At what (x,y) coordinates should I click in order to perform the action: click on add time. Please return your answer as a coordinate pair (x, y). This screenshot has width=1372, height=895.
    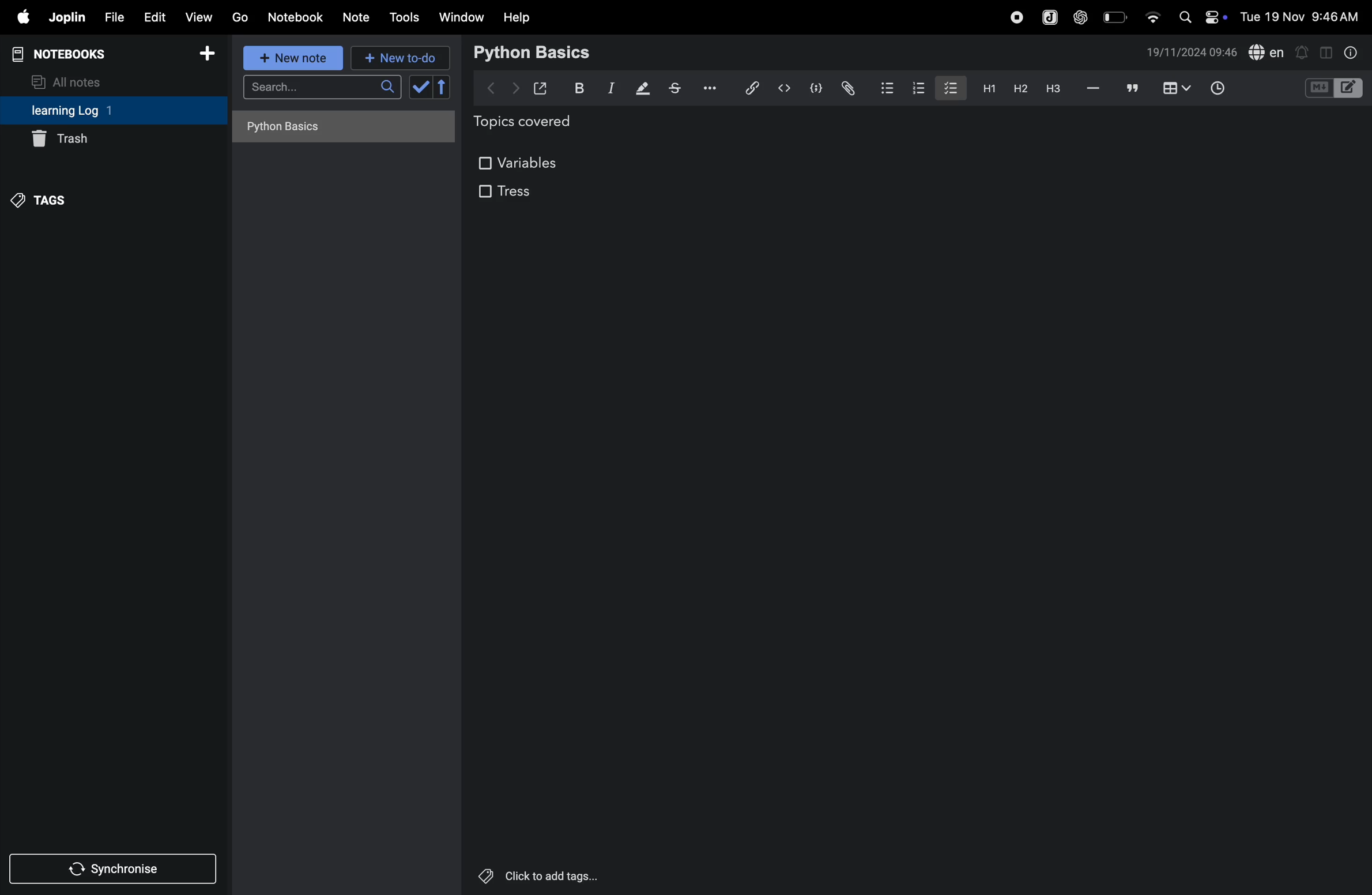
    Looking at the image, I should click on (1231, 89).